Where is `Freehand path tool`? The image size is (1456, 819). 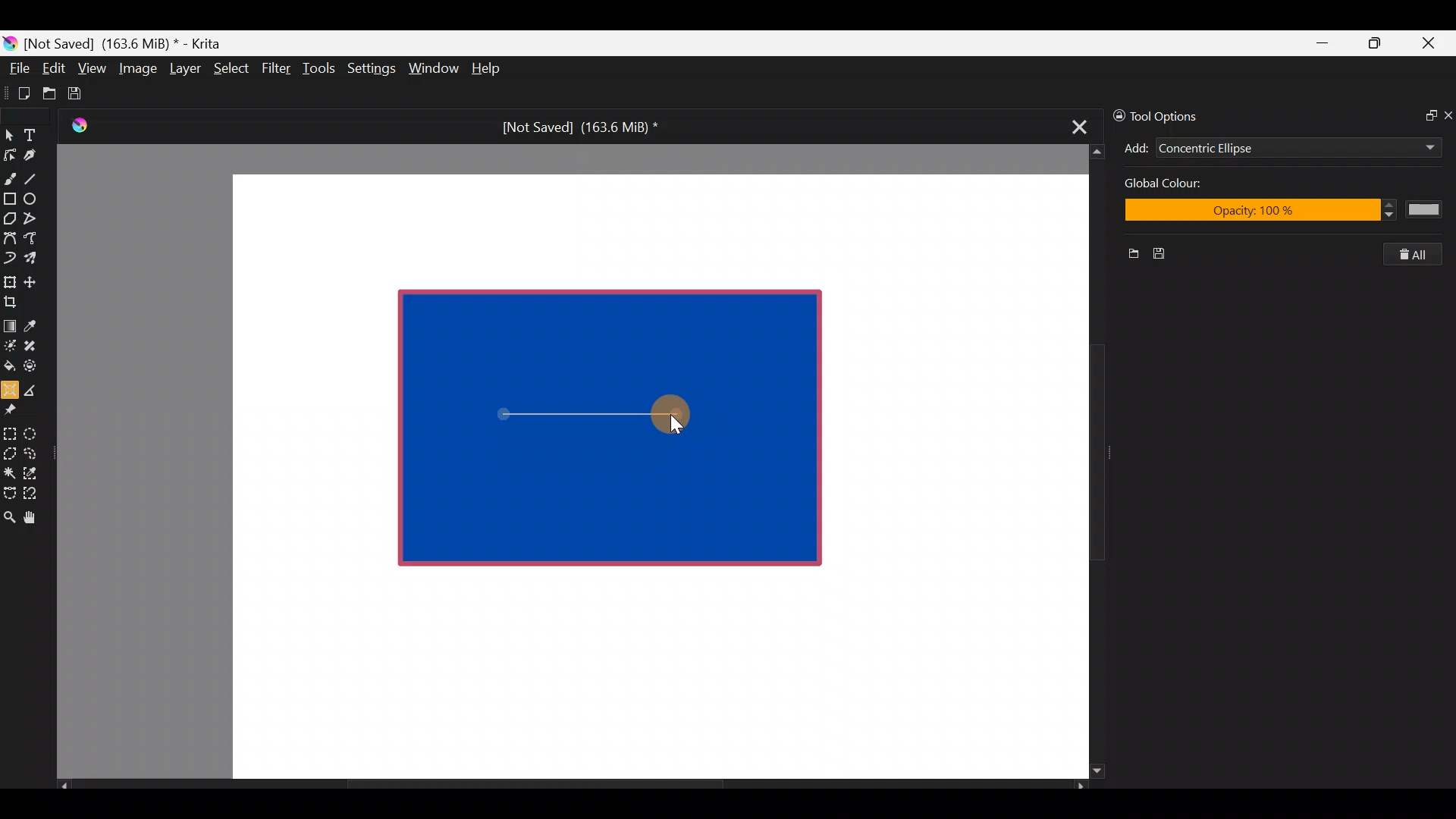 Freehand path tool is located at coordinates (38, 240).